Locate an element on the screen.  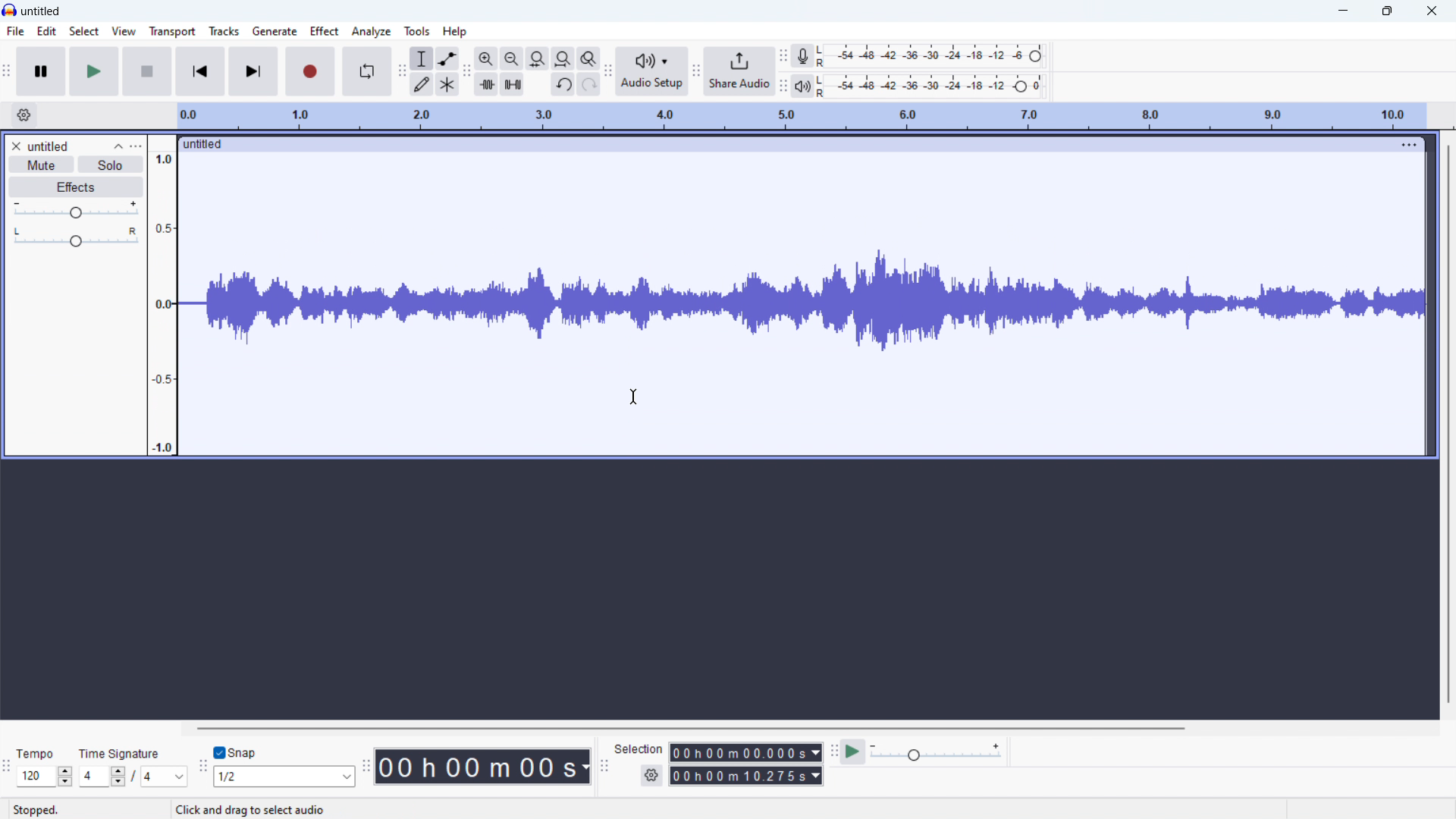
gain is located at coordinates (77, 210).